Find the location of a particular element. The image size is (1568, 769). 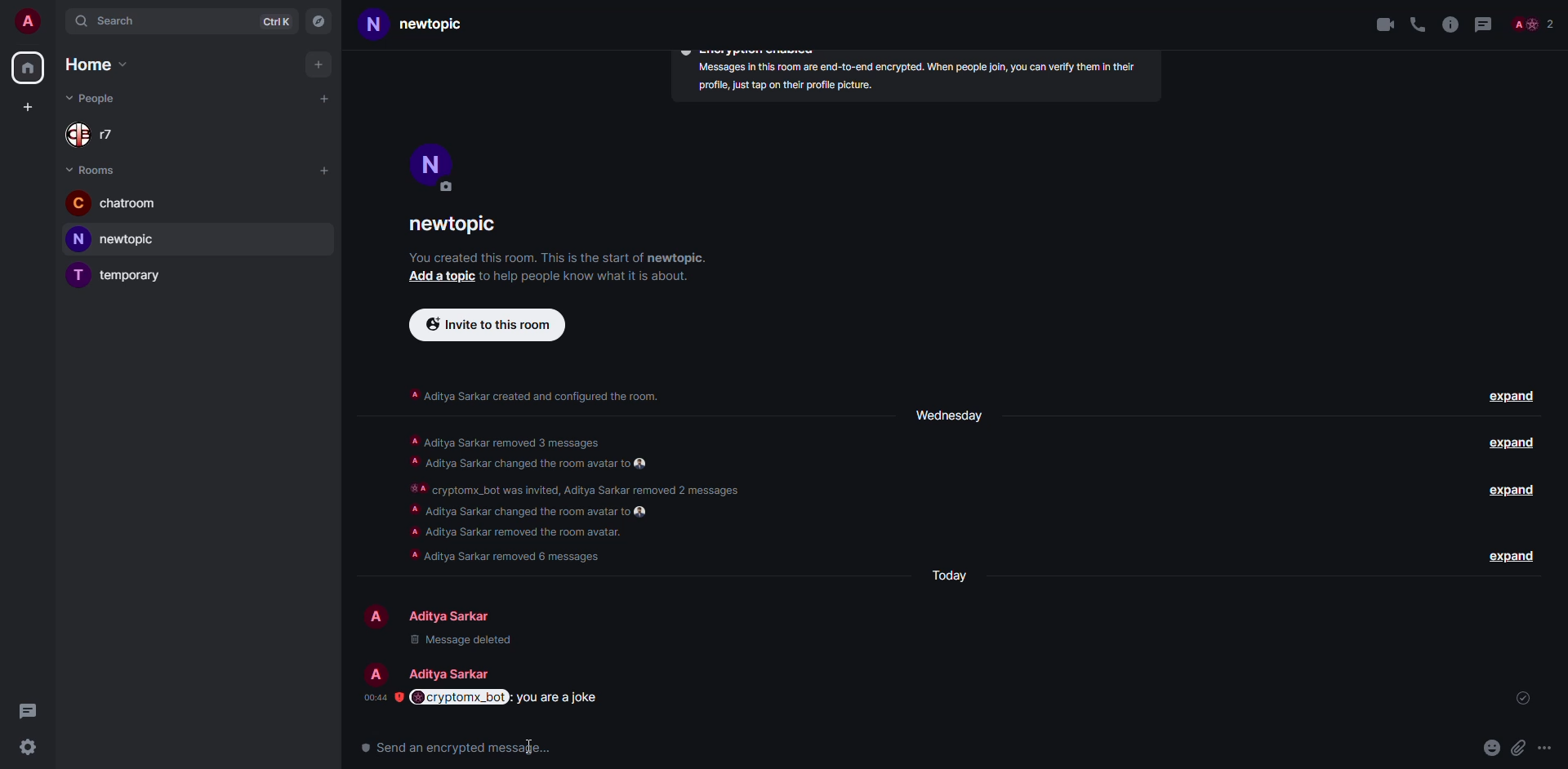

emoji is located at coordinates (1461, 746).